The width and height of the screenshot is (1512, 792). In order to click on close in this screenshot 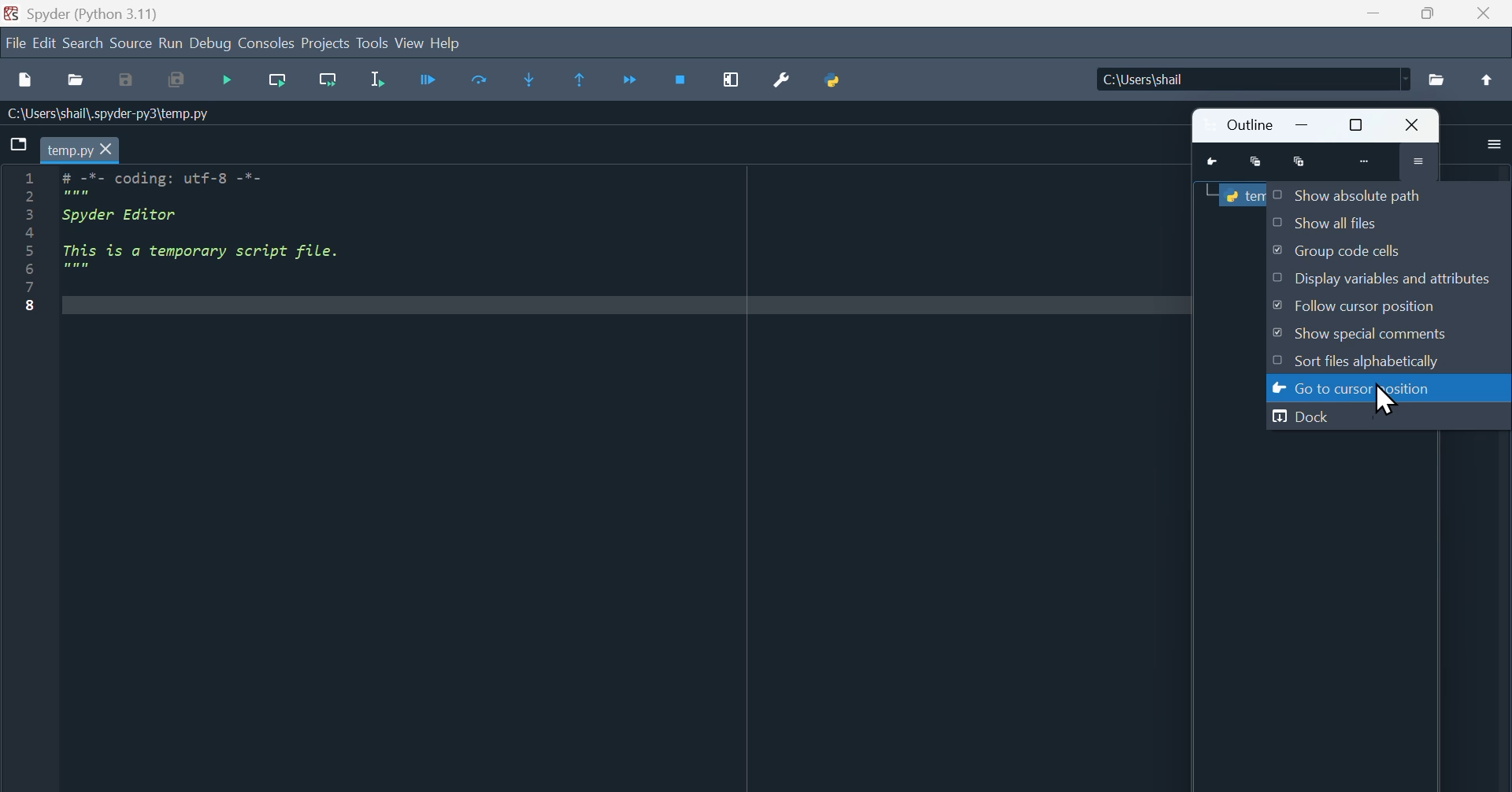, I will do `click(1483, 13)`.